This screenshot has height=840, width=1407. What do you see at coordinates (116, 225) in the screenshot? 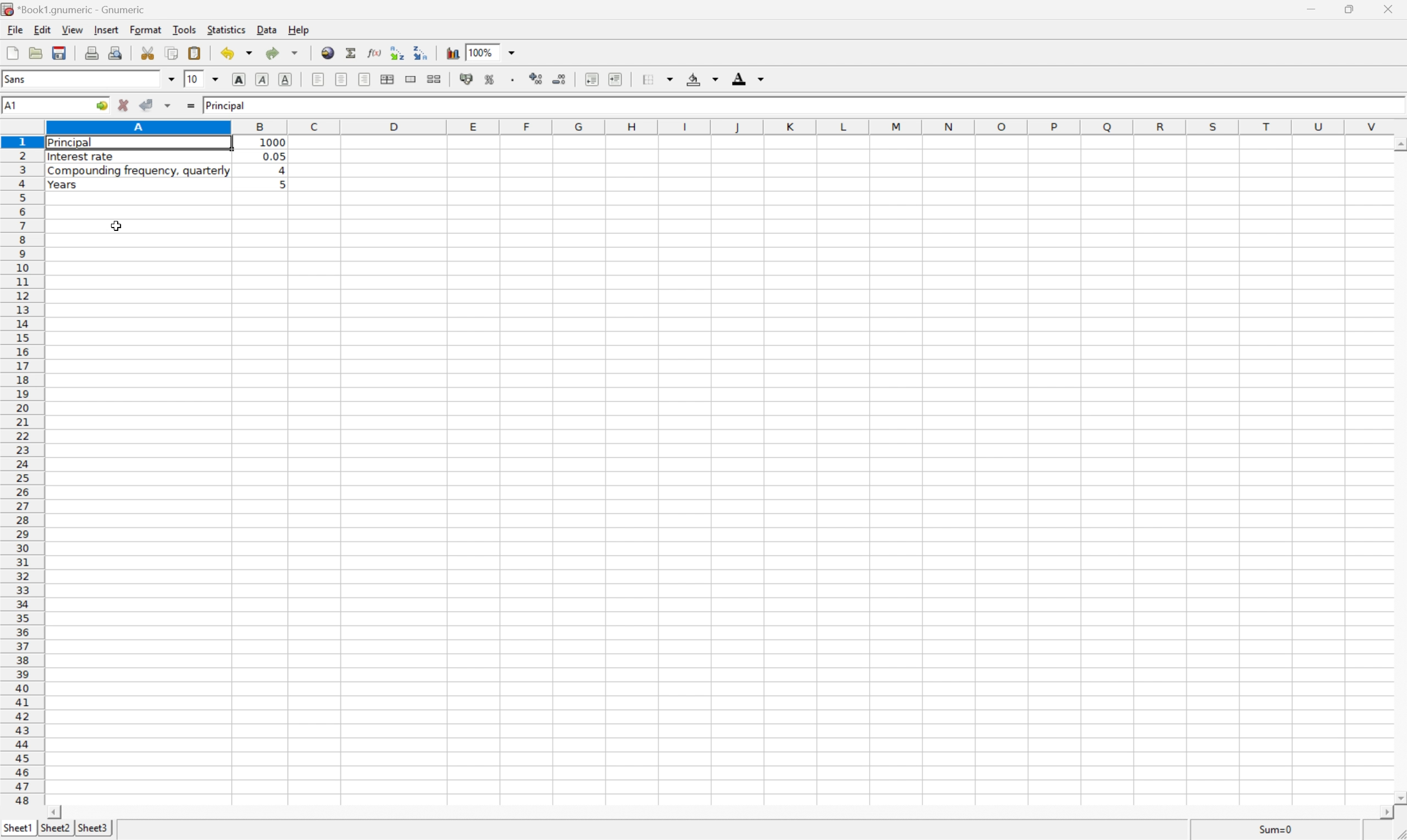
I see `cursor` at bounding box center [116, 225].